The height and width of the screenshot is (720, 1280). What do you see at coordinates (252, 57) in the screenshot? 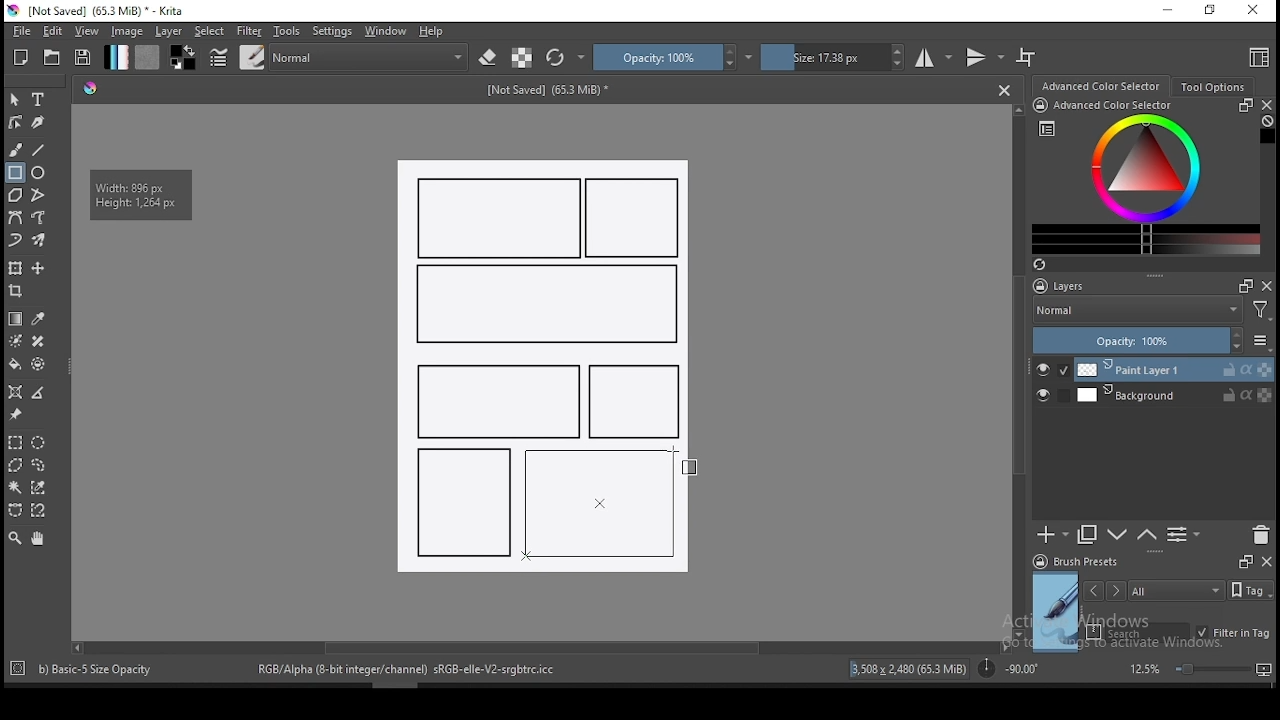
I see `brushes` at bounding box center [252, 57].